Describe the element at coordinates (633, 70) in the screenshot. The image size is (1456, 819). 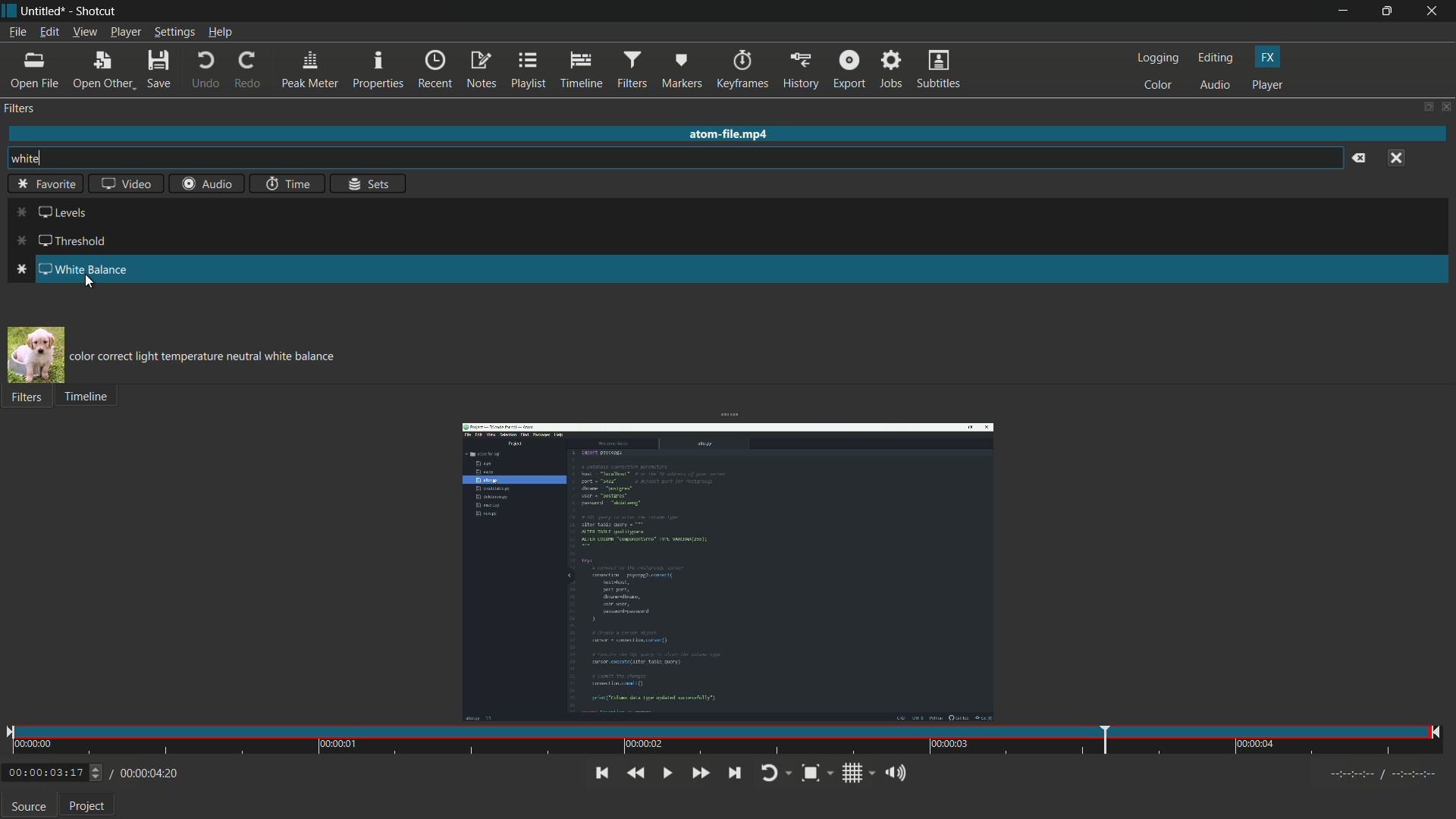
I see `filters` at that location.